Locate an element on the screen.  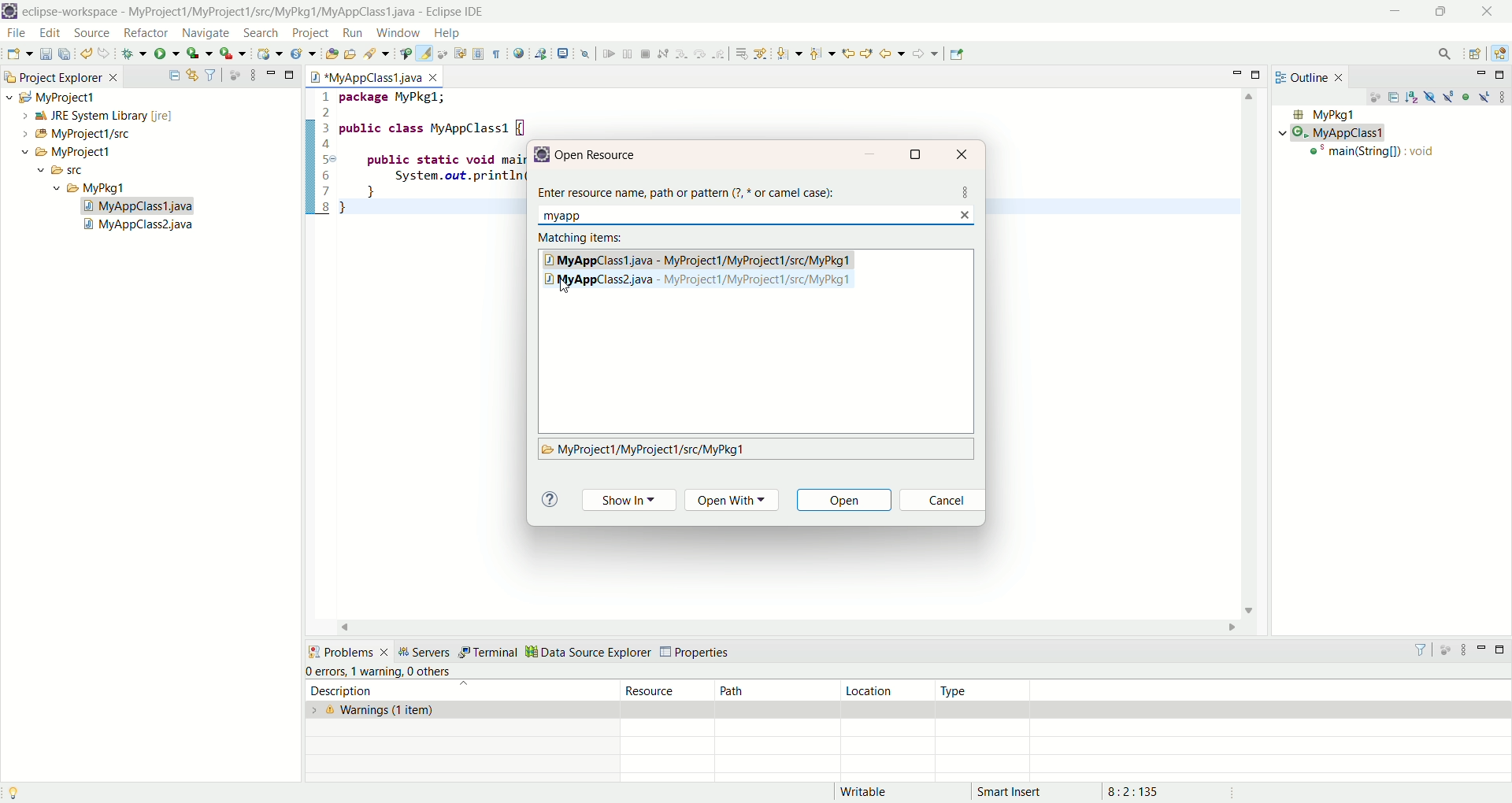
open resource is located at coordinates (602, 155).